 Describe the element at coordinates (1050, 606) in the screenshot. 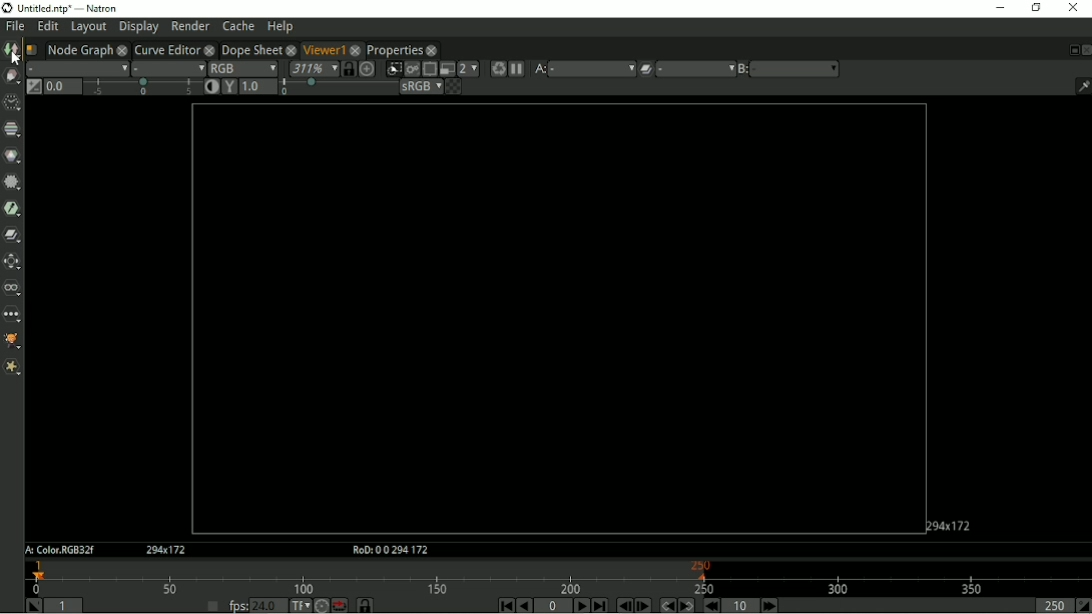

I see `Playback out point` at that location.